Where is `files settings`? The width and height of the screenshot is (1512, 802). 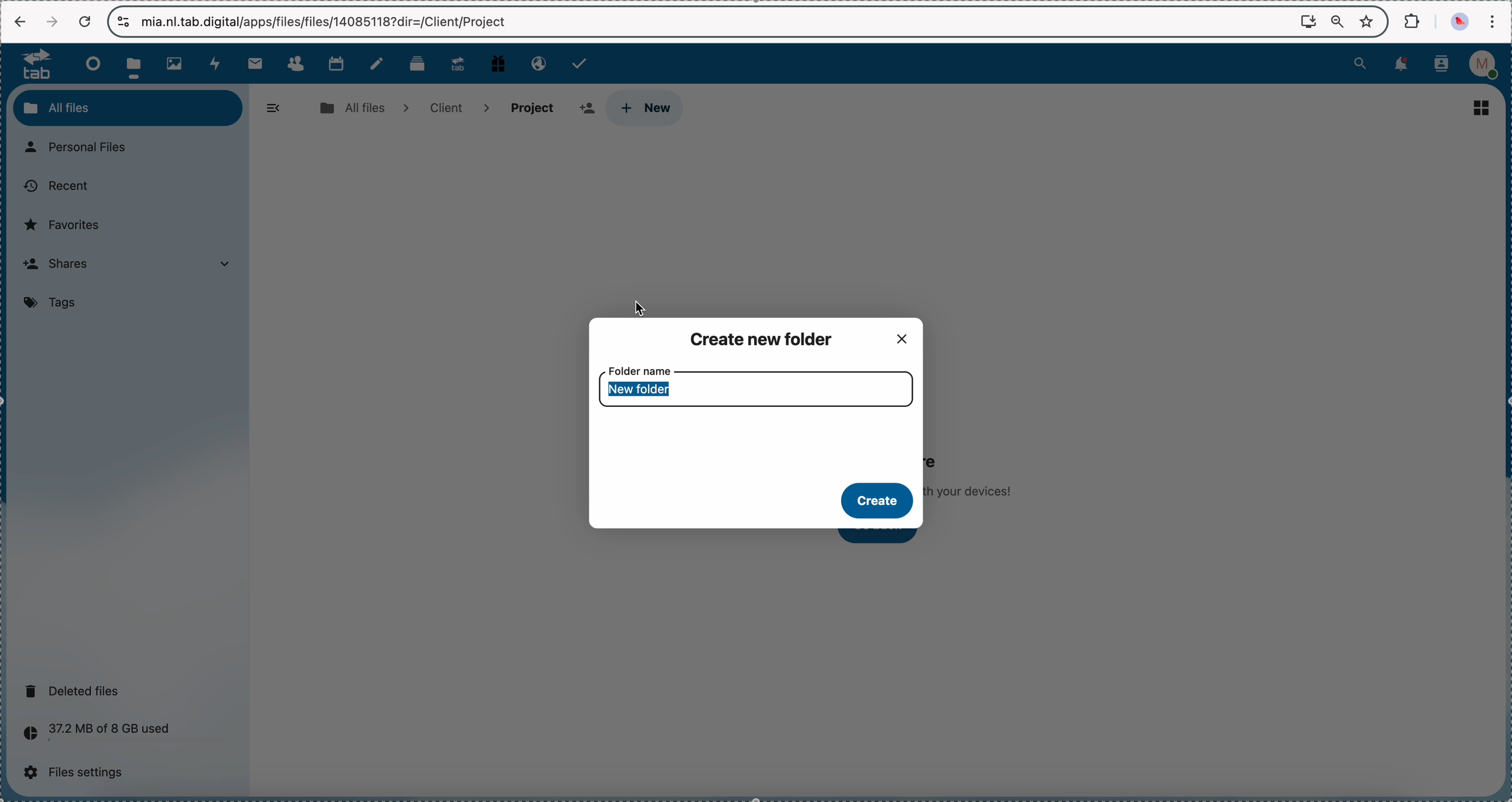
files settings is located at coordinates (79, 773).